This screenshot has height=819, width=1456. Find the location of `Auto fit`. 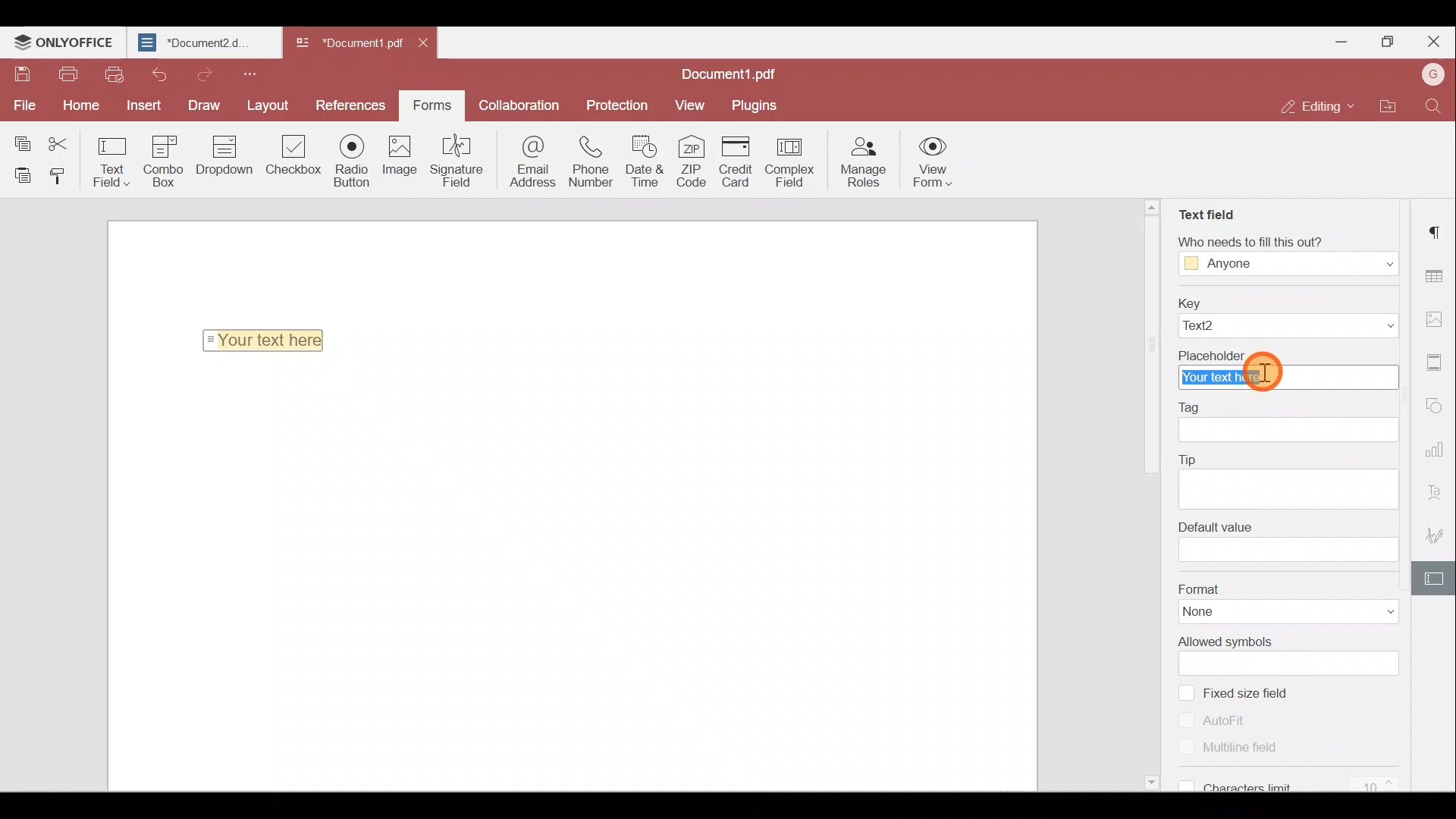

Auto fit is located at coordinates (1234, 719).